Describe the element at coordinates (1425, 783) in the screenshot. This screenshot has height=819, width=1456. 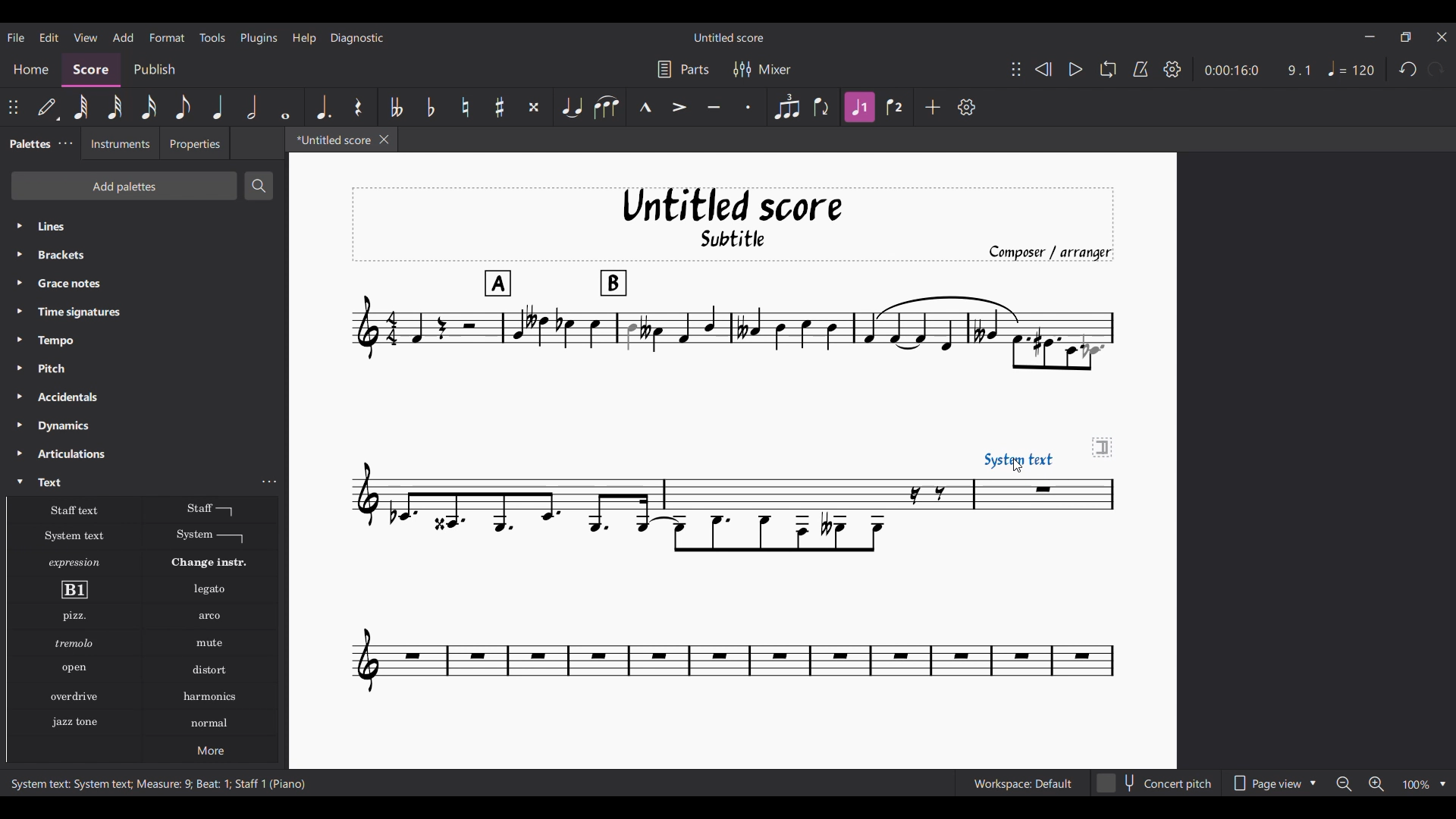
I see `Zoom options` at that location.